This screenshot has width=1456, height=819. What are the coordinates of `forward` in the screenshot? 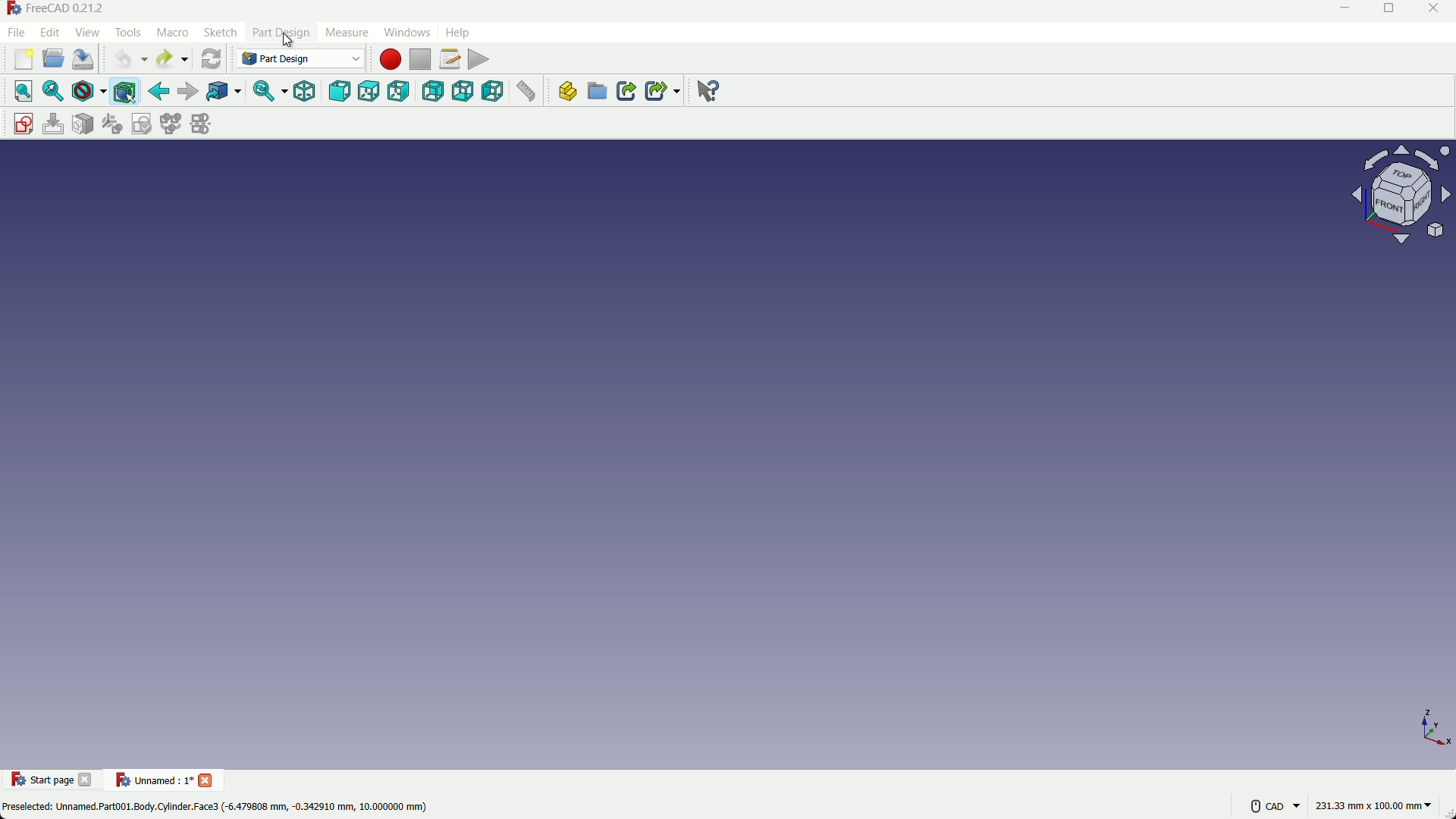 It's located at (189, 90).